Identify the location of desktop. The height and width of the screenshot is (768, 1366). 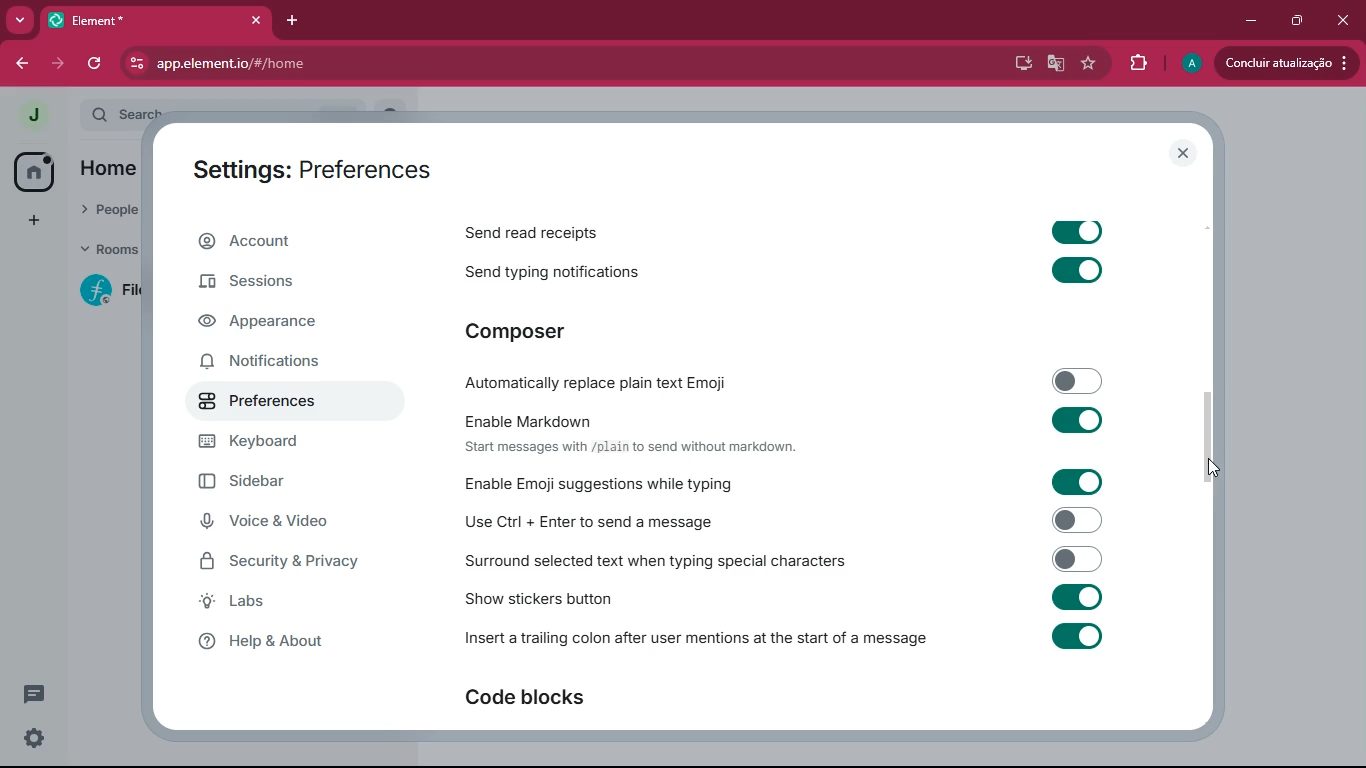
(1022, 65).